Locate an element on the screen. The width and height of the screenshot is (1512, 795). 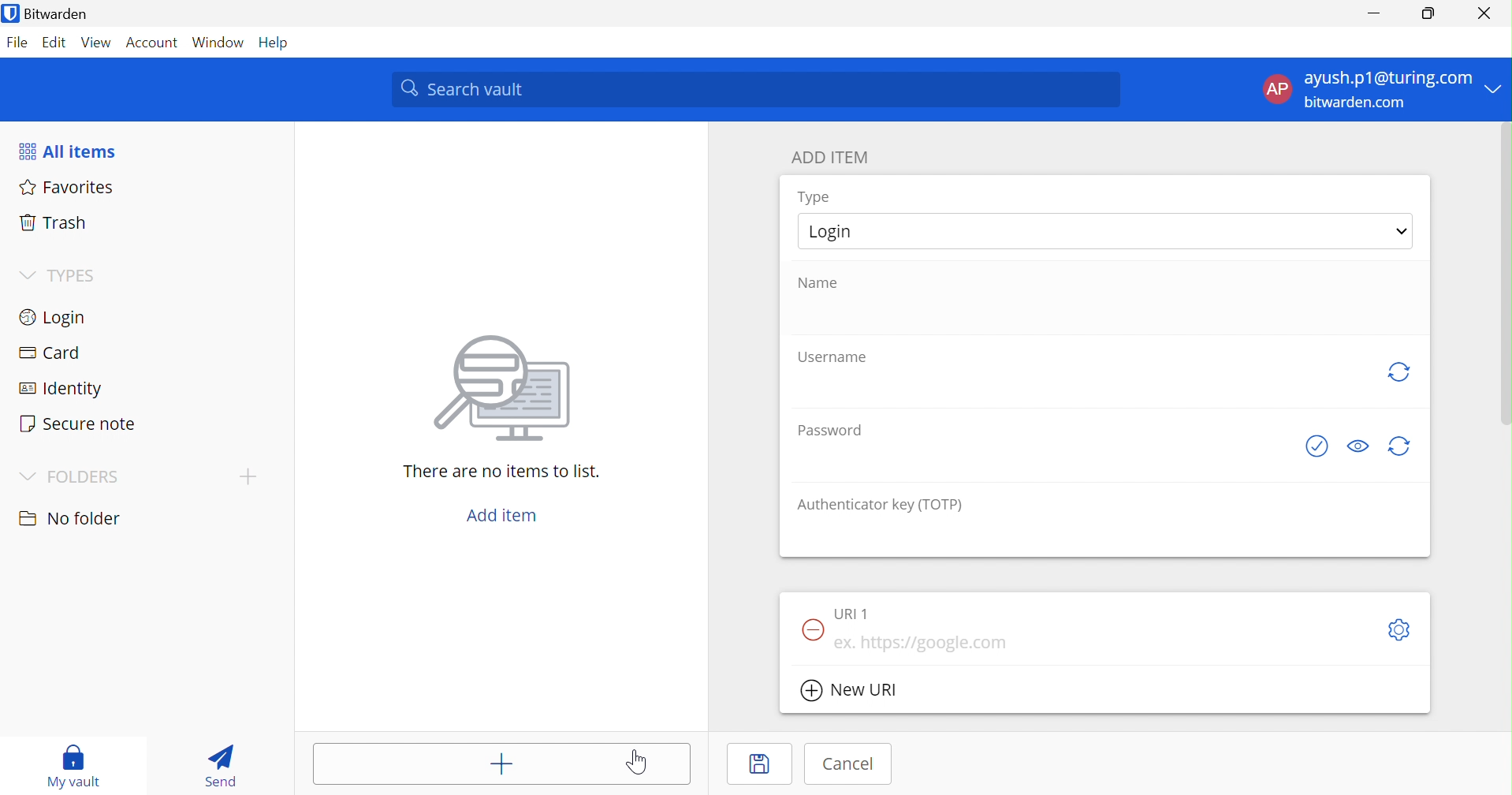
bitwarden.com is located at coordinates (1362, 104).